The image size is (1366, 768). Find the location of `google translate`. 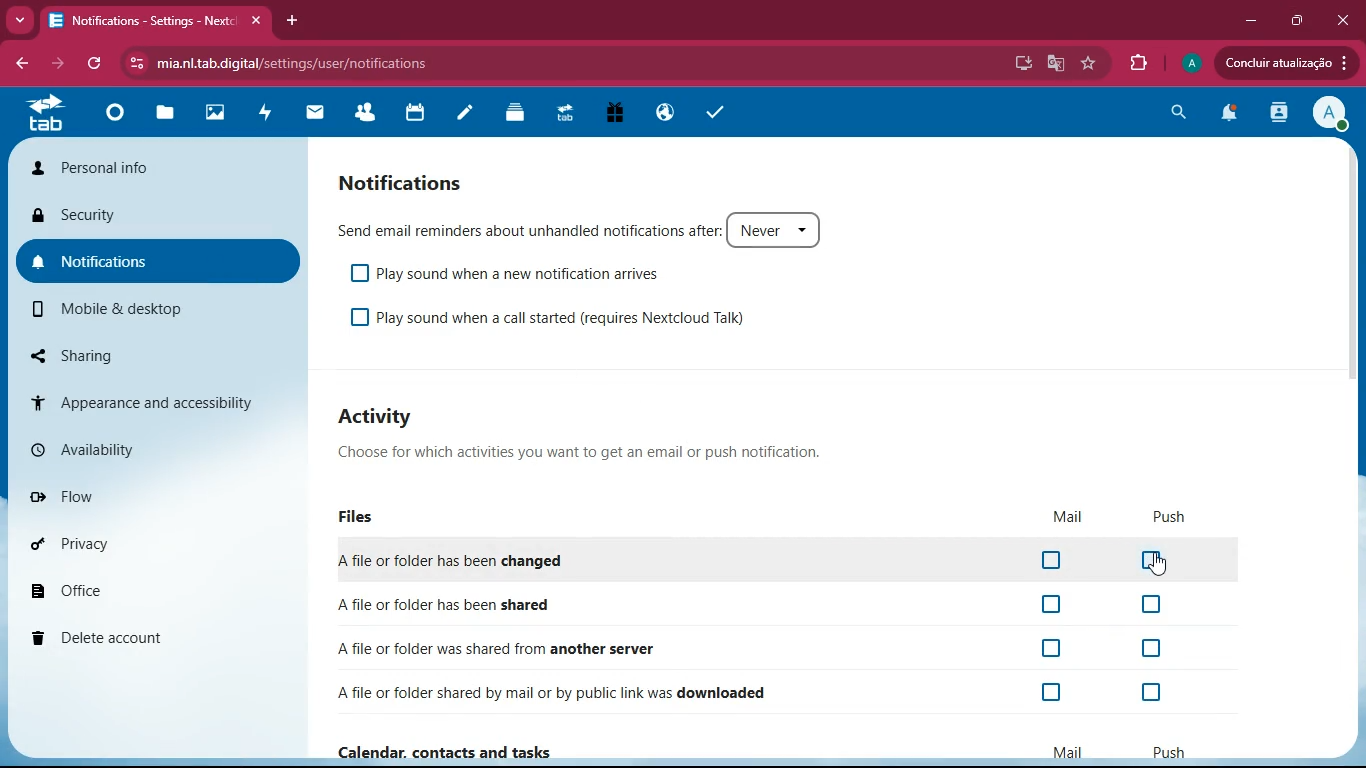

google translate is located at coordinates (1054, 66).